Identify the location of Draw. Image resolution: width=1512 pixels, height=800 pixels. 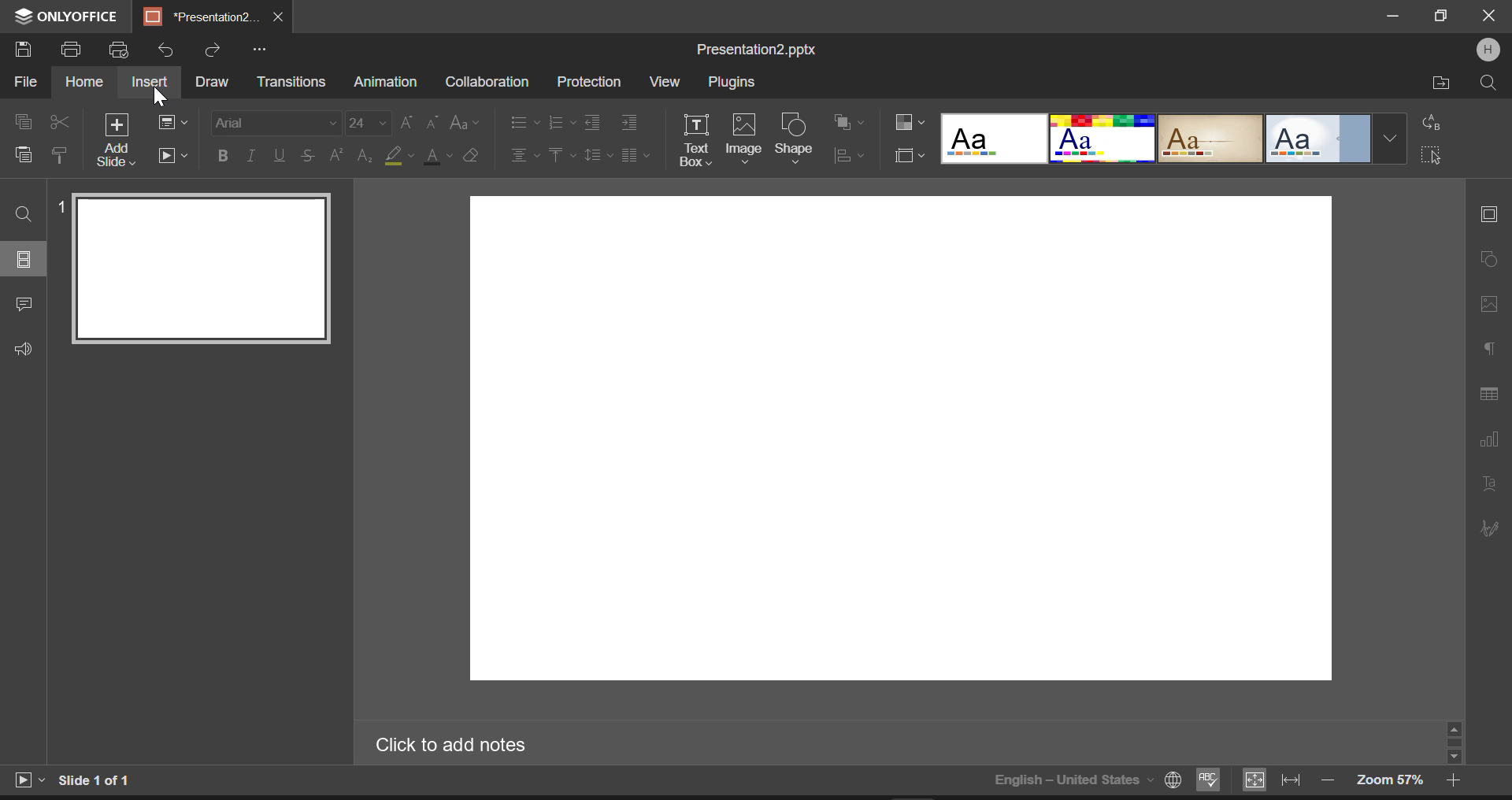
(213, 81).